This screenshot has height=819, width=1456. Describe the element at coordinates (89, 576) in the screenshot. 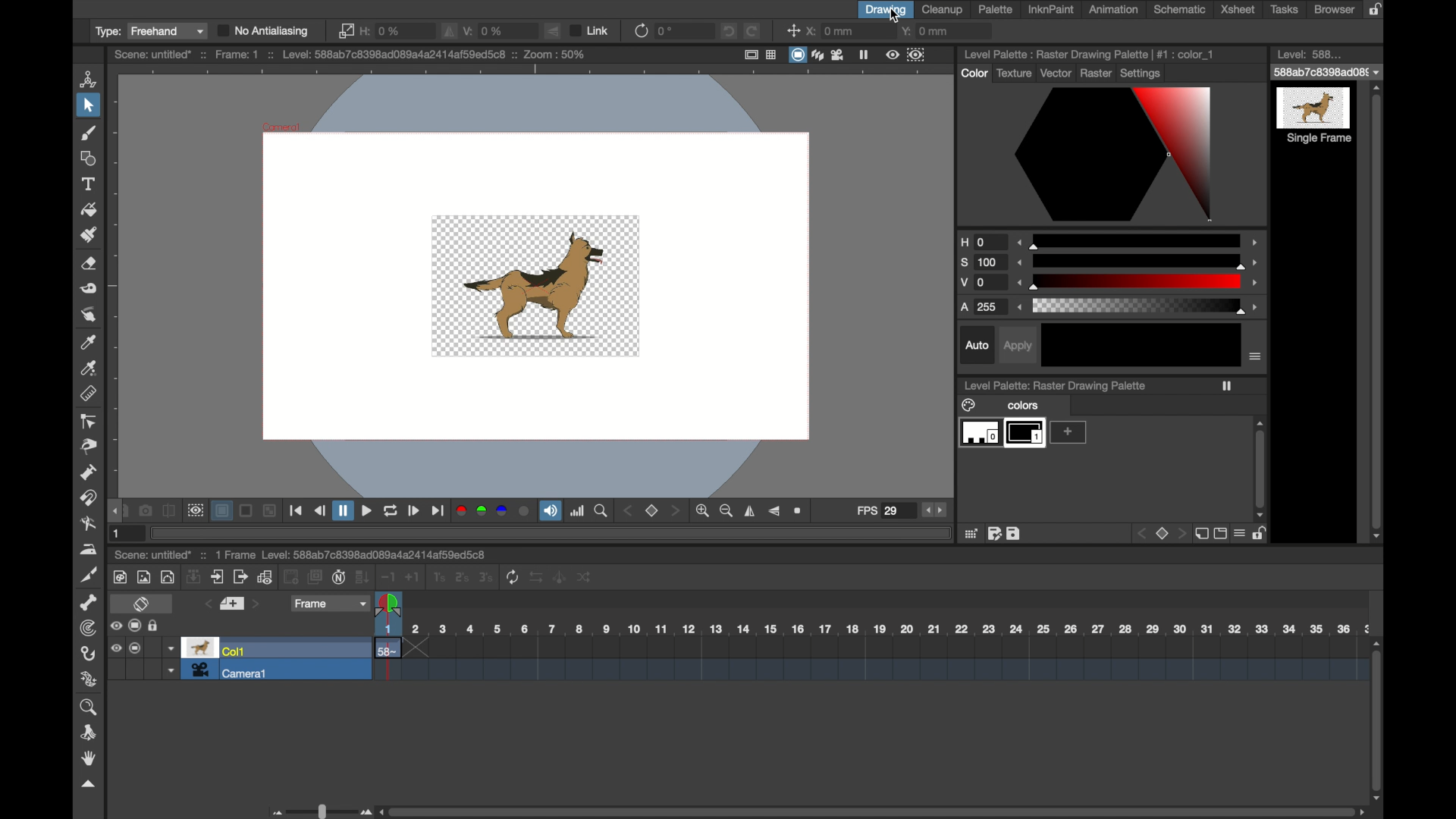

I see `cutter tool` at that location.